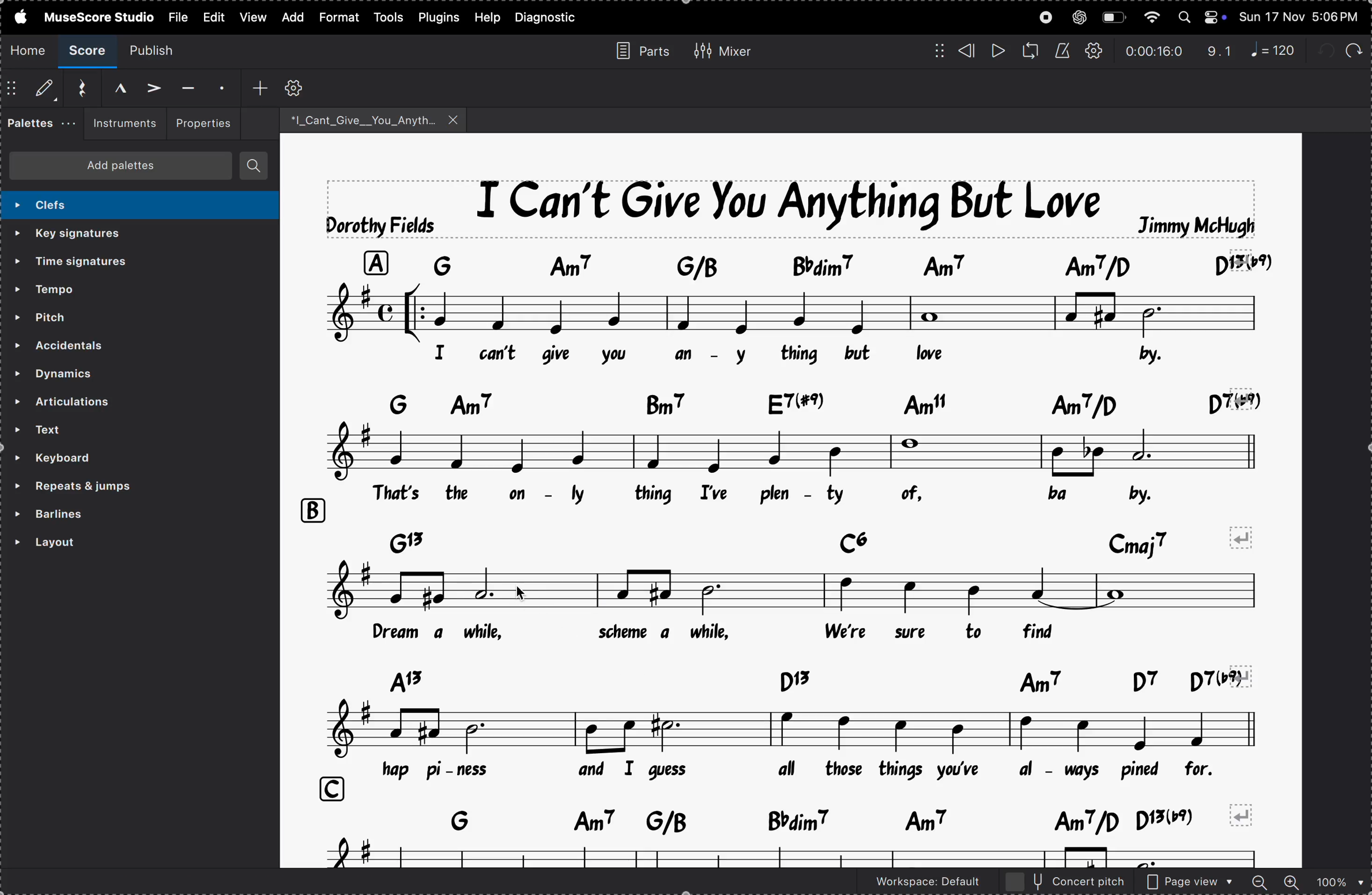 Image resolution: width=1372 pixels, height=895 pixels. I want to click on rewind, so click(967, 51).